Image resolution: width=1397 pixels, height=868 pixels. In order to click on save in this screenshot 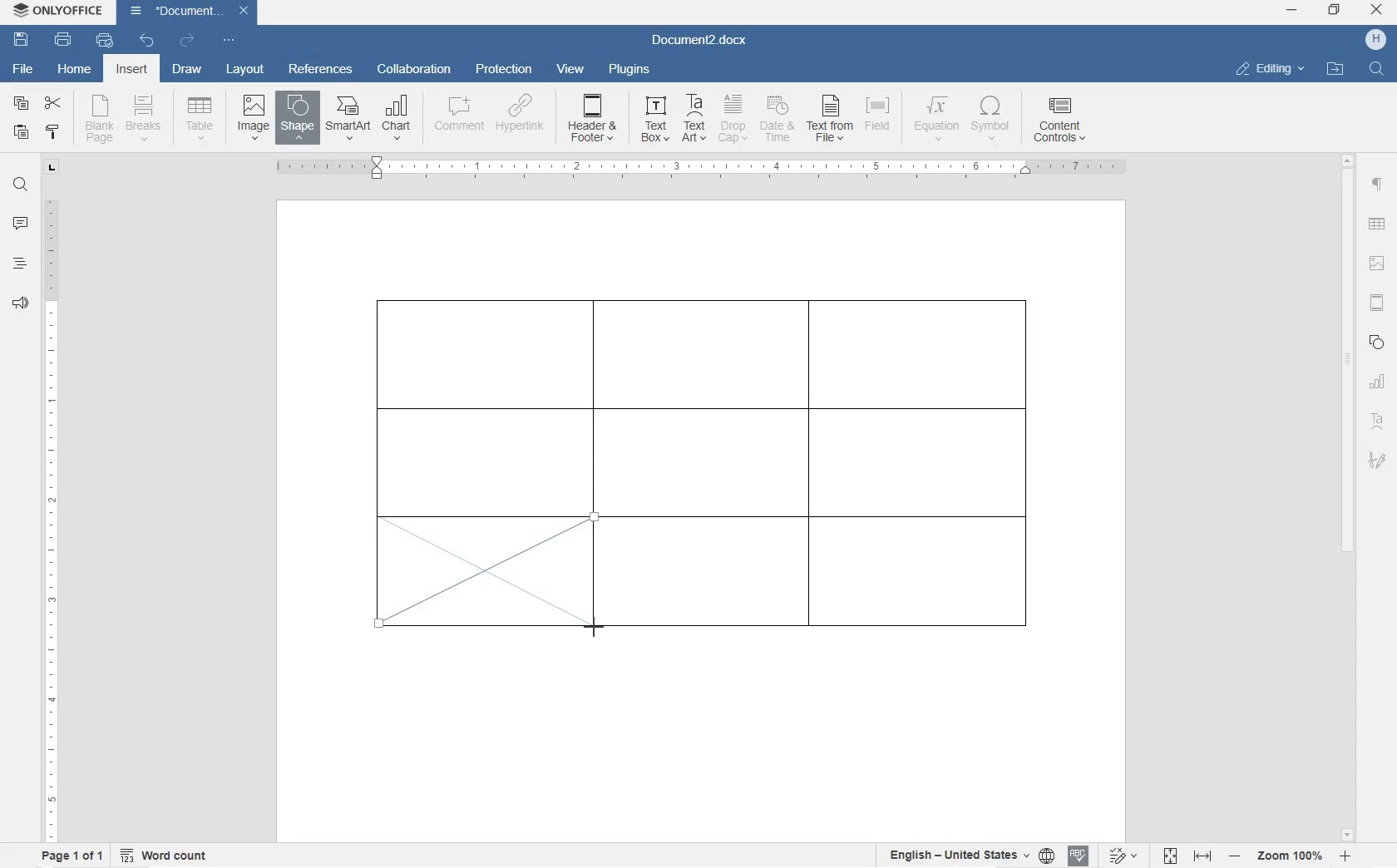, I will do `click(22, 40)`.